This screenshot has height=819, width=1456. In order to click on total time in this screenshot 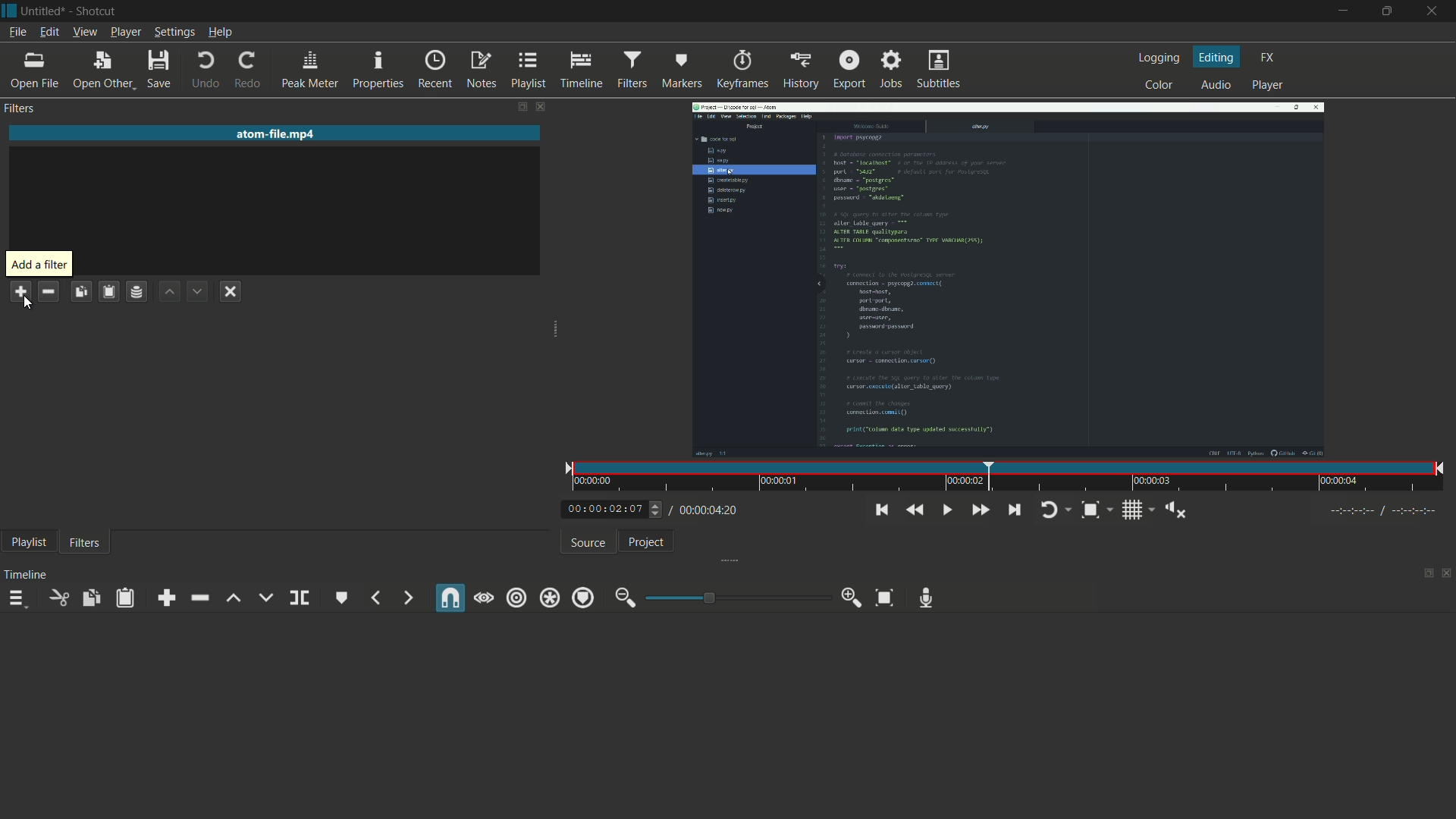, I will do `click(703, 510)`.